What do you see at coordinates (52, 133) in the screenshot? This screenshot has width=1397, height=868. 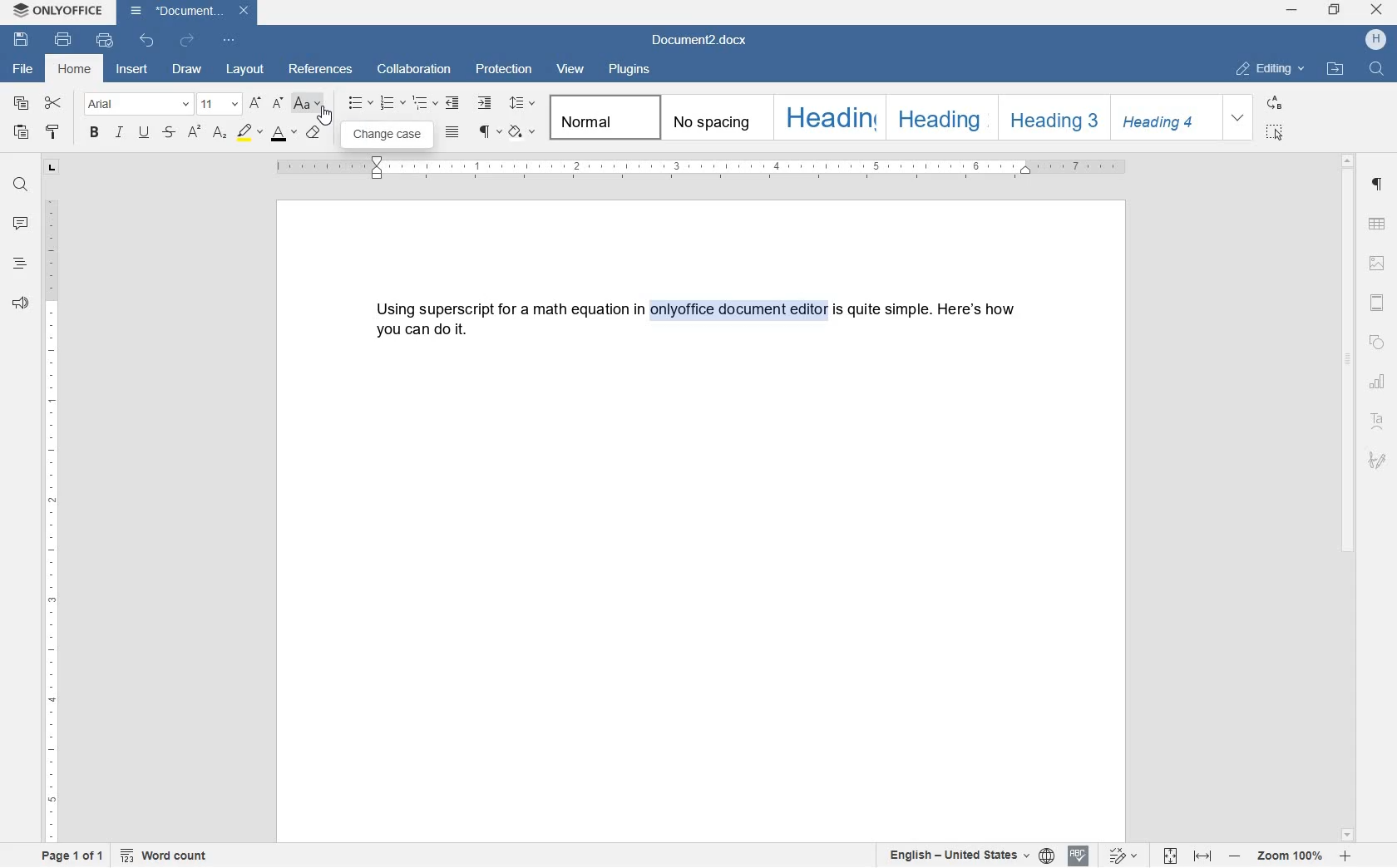 I see `copy style` at bounding box center [52, 133].